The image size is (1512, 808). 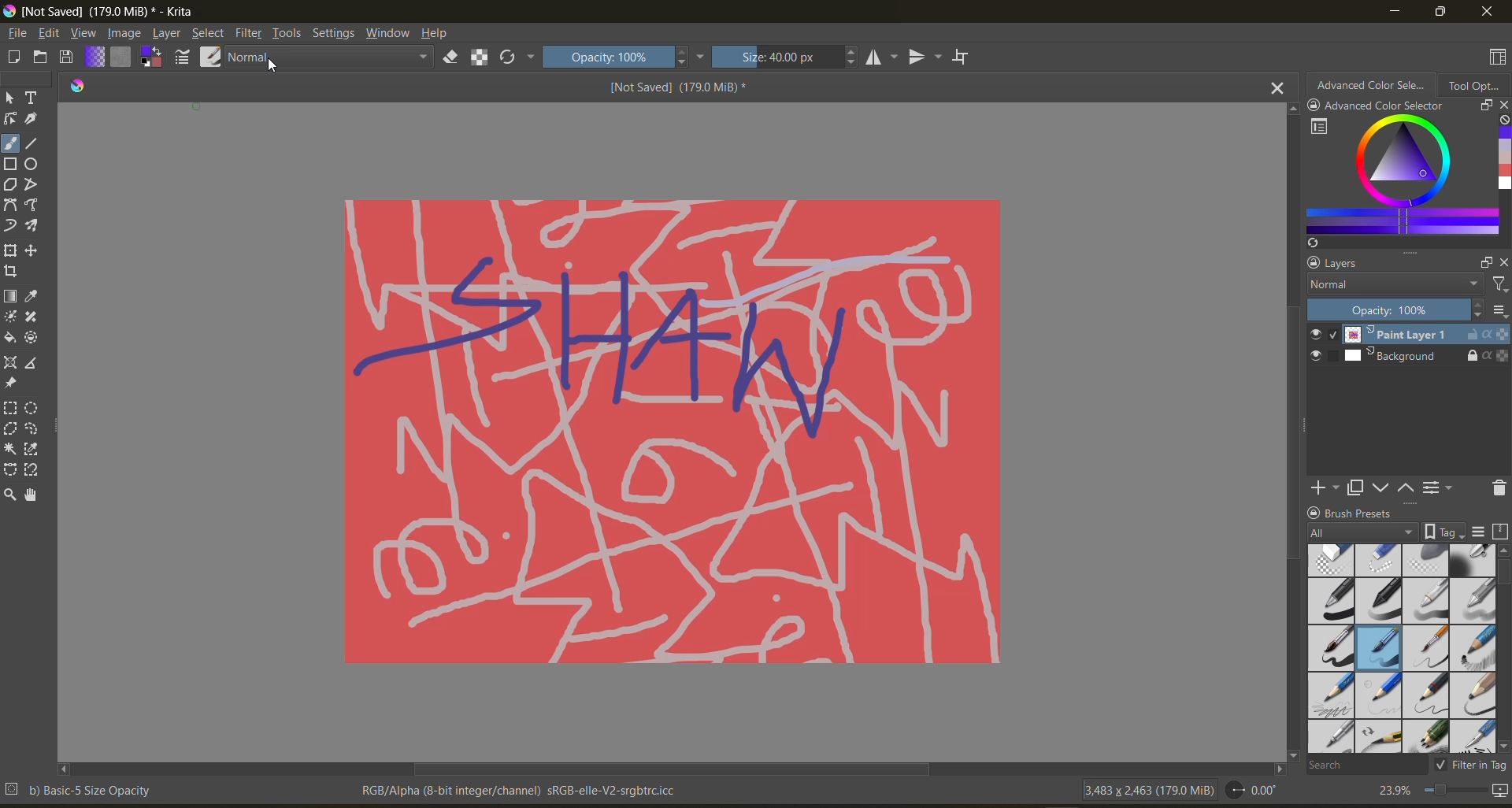 What do you see at coordinates (1407, 487) in the screenshot?
I see `mask up` at bounding box center [1407, 487].